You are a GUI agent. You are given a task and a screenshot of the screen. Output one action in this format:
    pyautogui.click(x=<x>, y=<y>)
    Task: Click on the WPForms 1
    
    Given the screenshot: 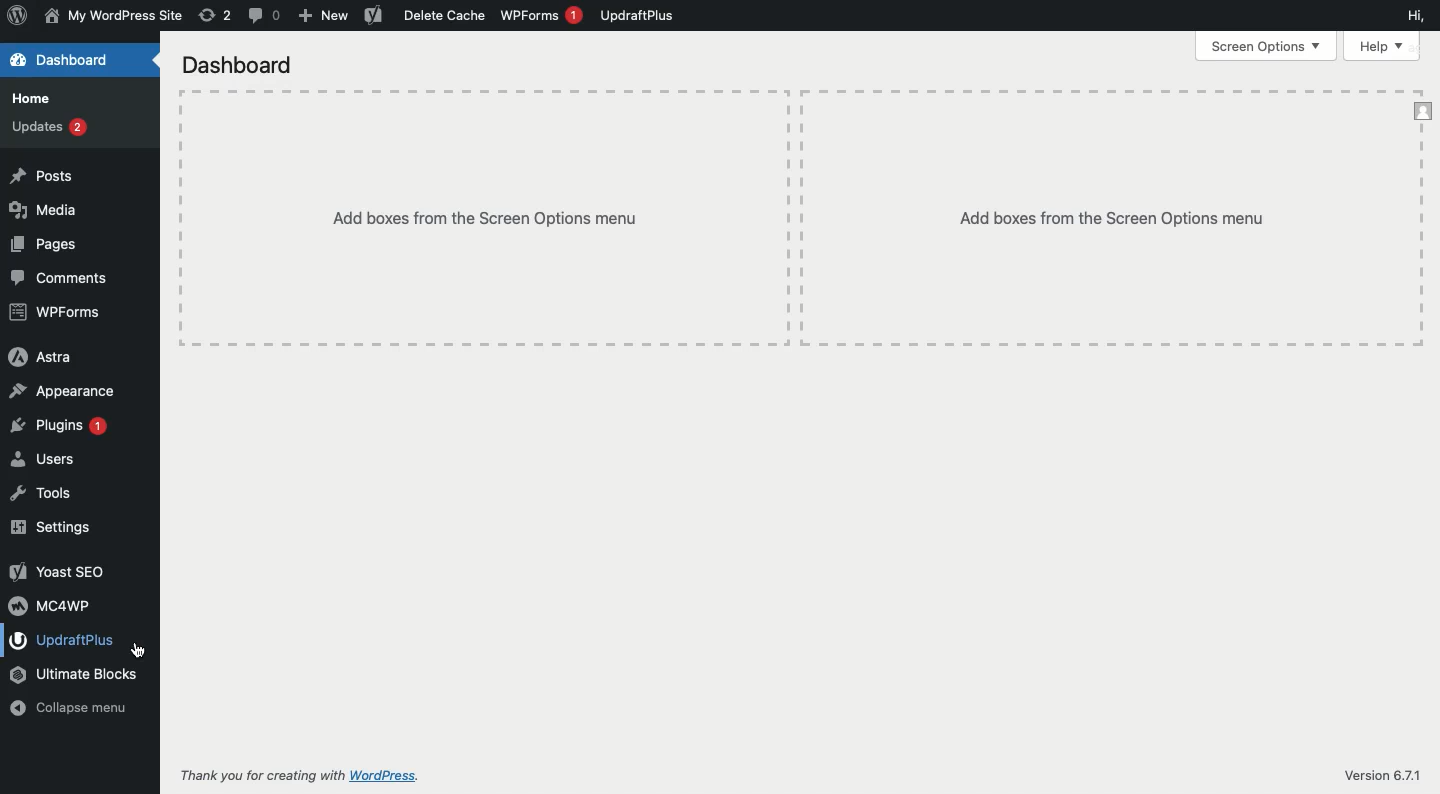 What is the action you would take?
    pyautogui.click(x=541, y=15)
    